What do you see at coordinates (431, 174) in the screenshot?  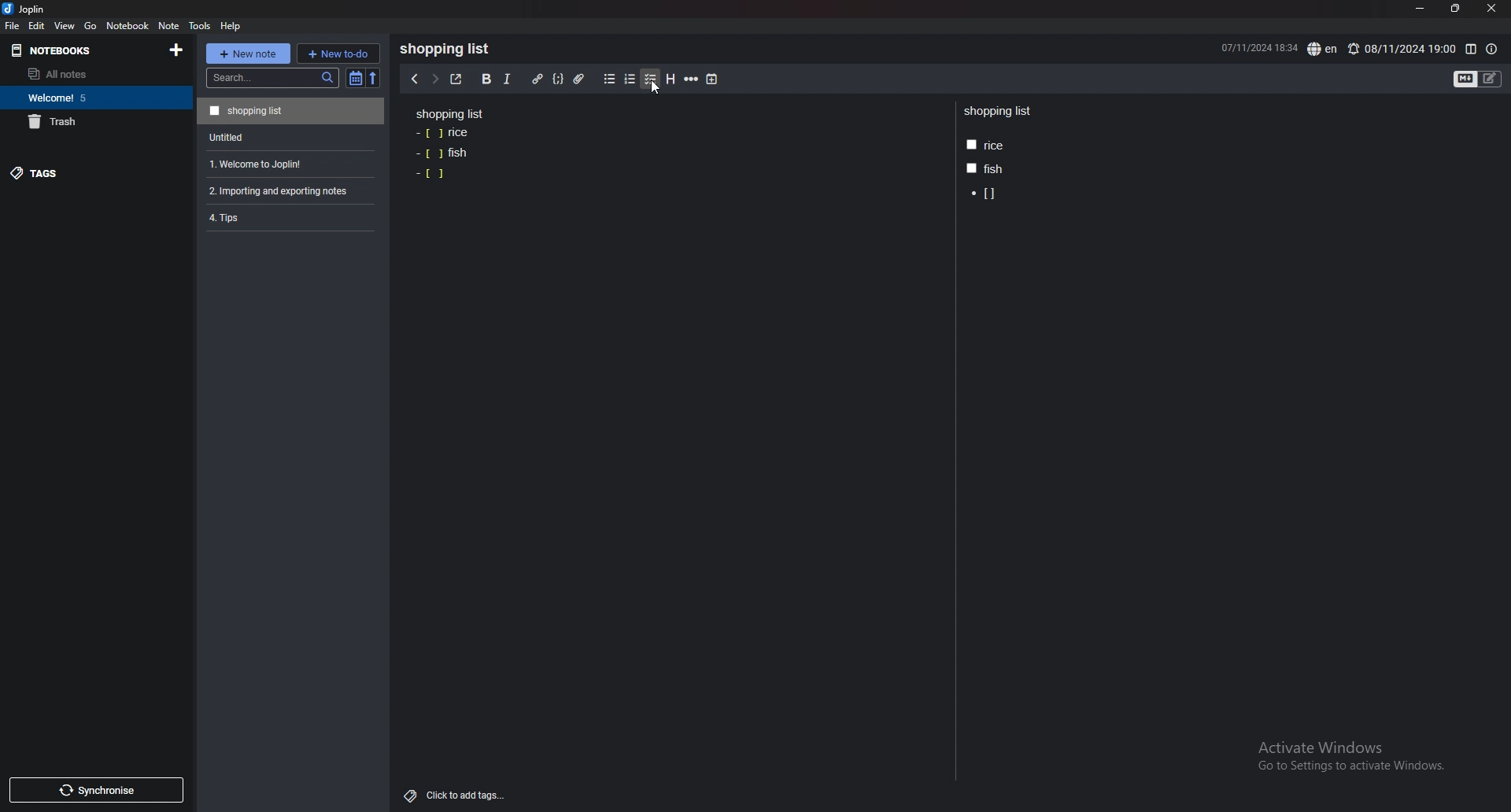 I see `check box` at bounding box center [431, 174].